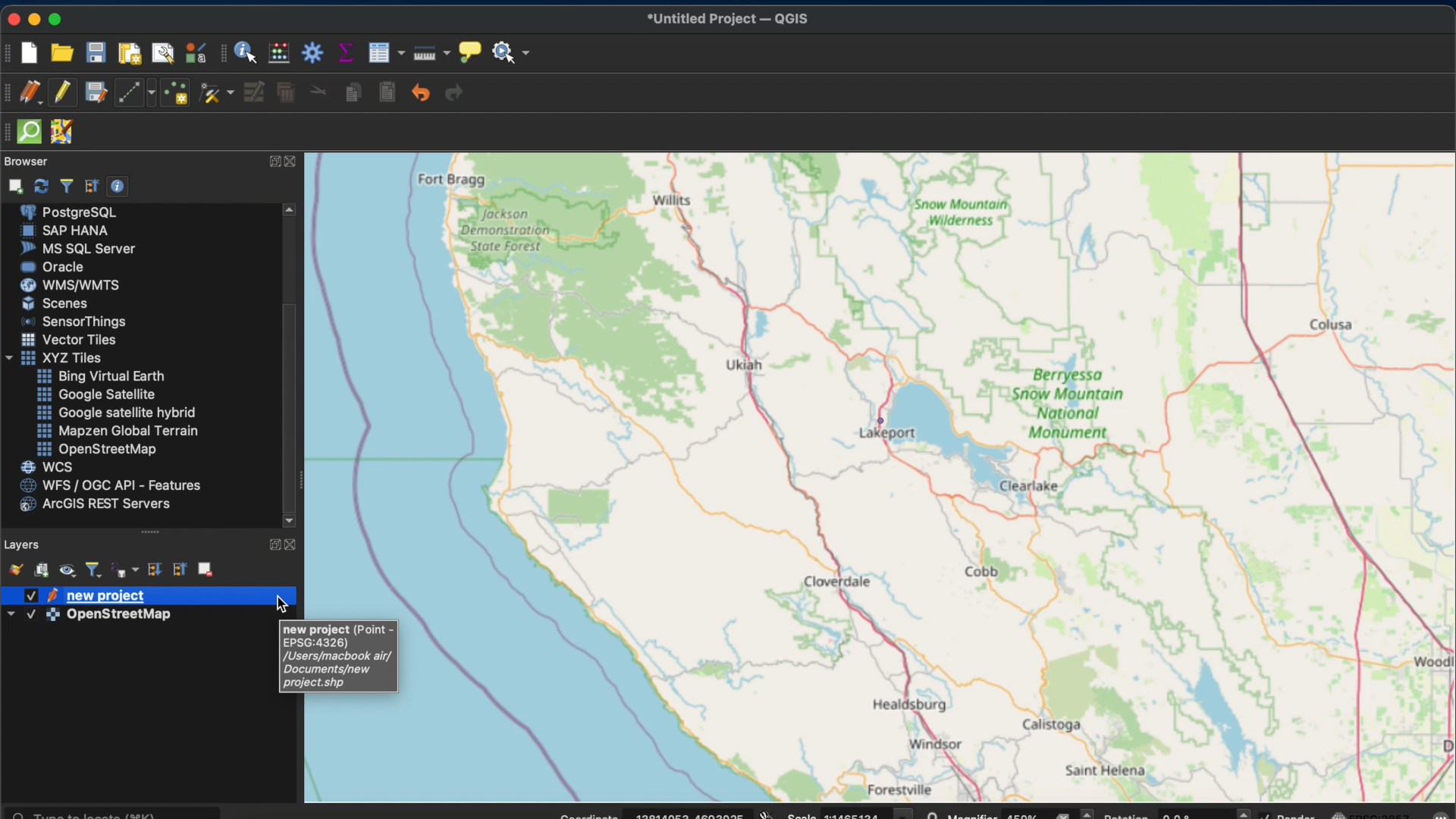  I want to click on xyz tiles, so click(52, 359).